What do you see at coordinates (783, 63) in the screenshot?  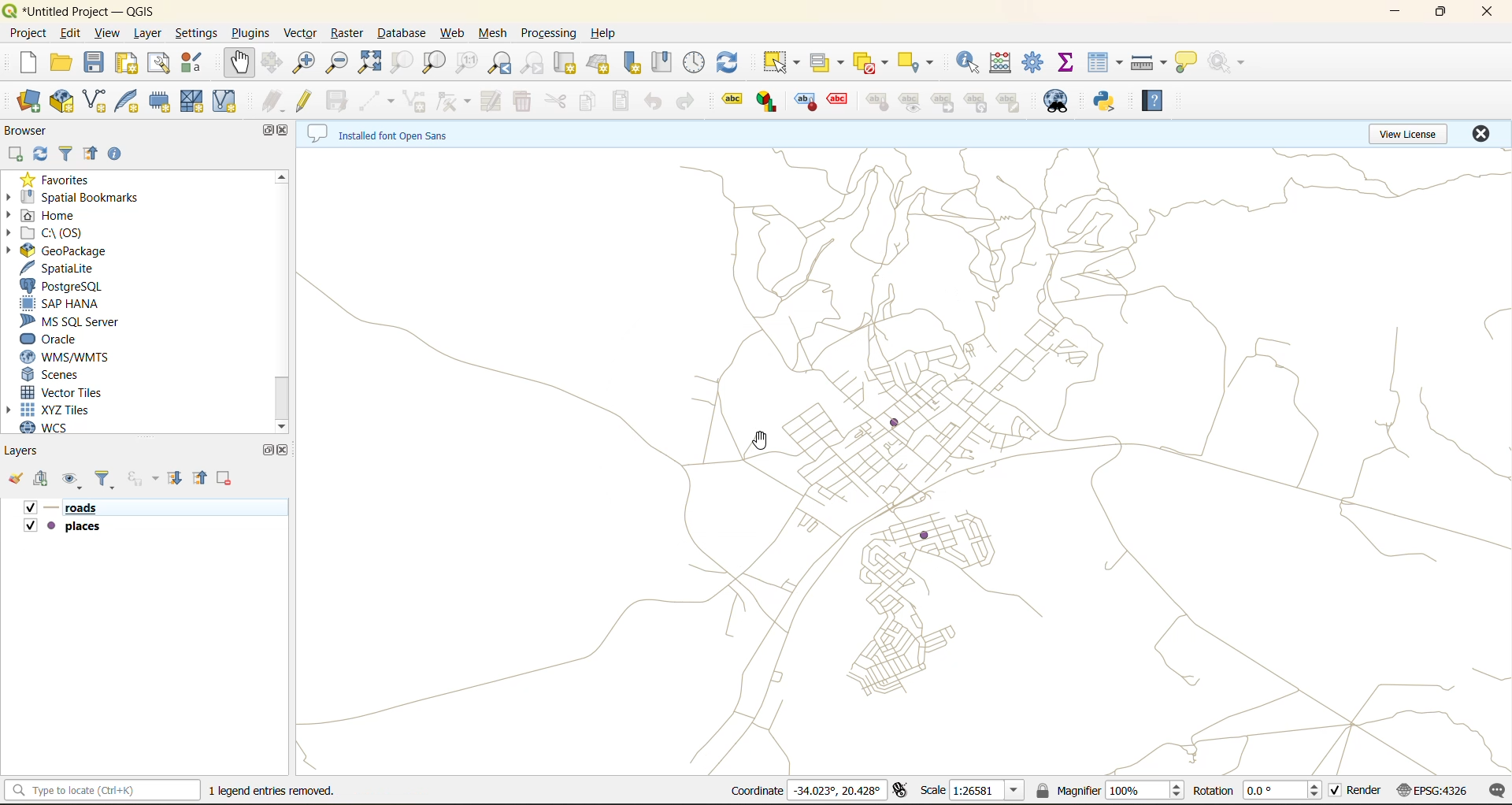 I see `select` at bounding box center [783, 63].